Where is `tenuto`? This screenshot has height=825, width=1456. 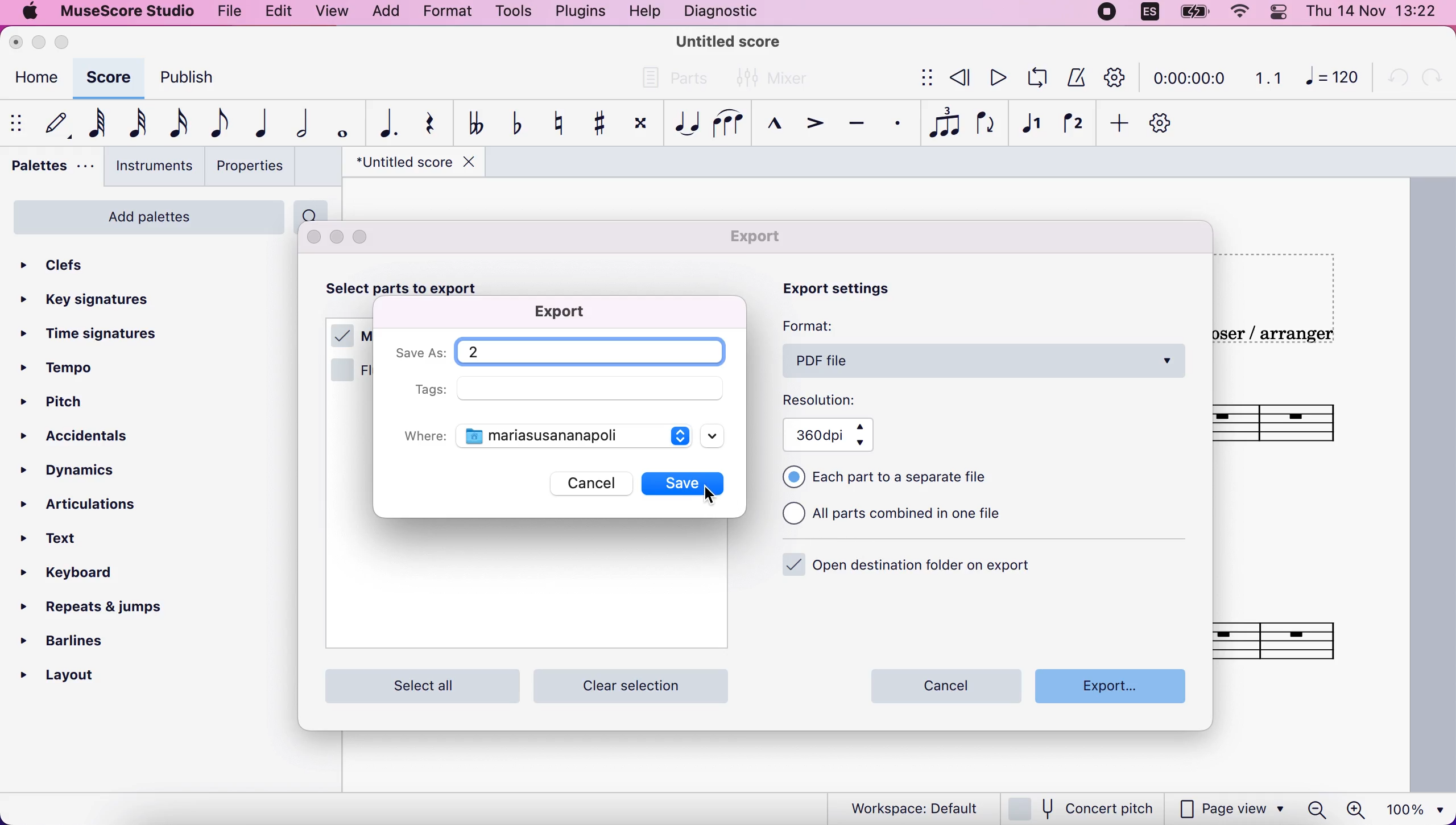
tenuto is located at coordinates (857, 126).